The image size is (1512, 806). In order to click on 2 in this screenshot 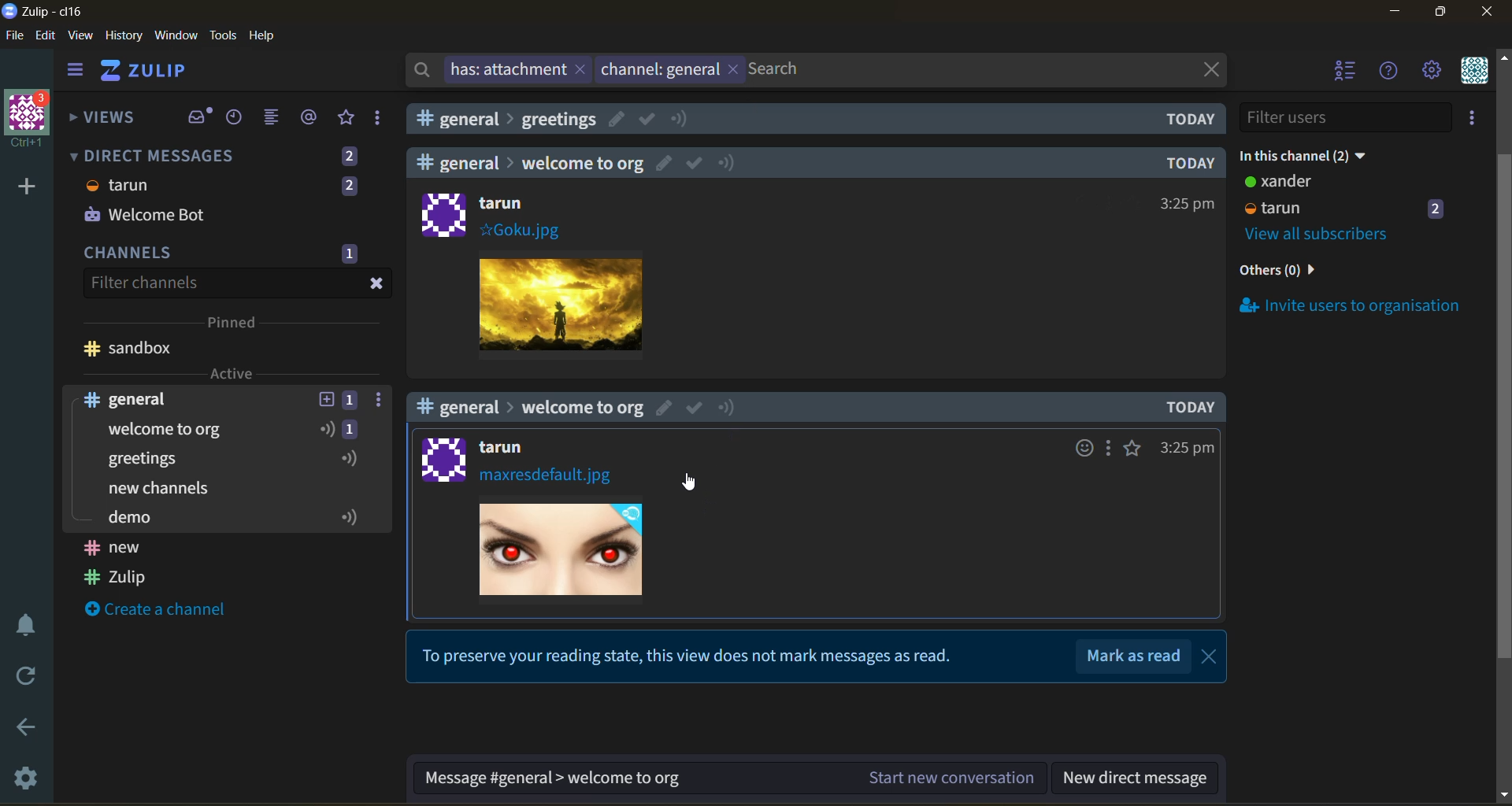, I will do `click(1438, 183)`.